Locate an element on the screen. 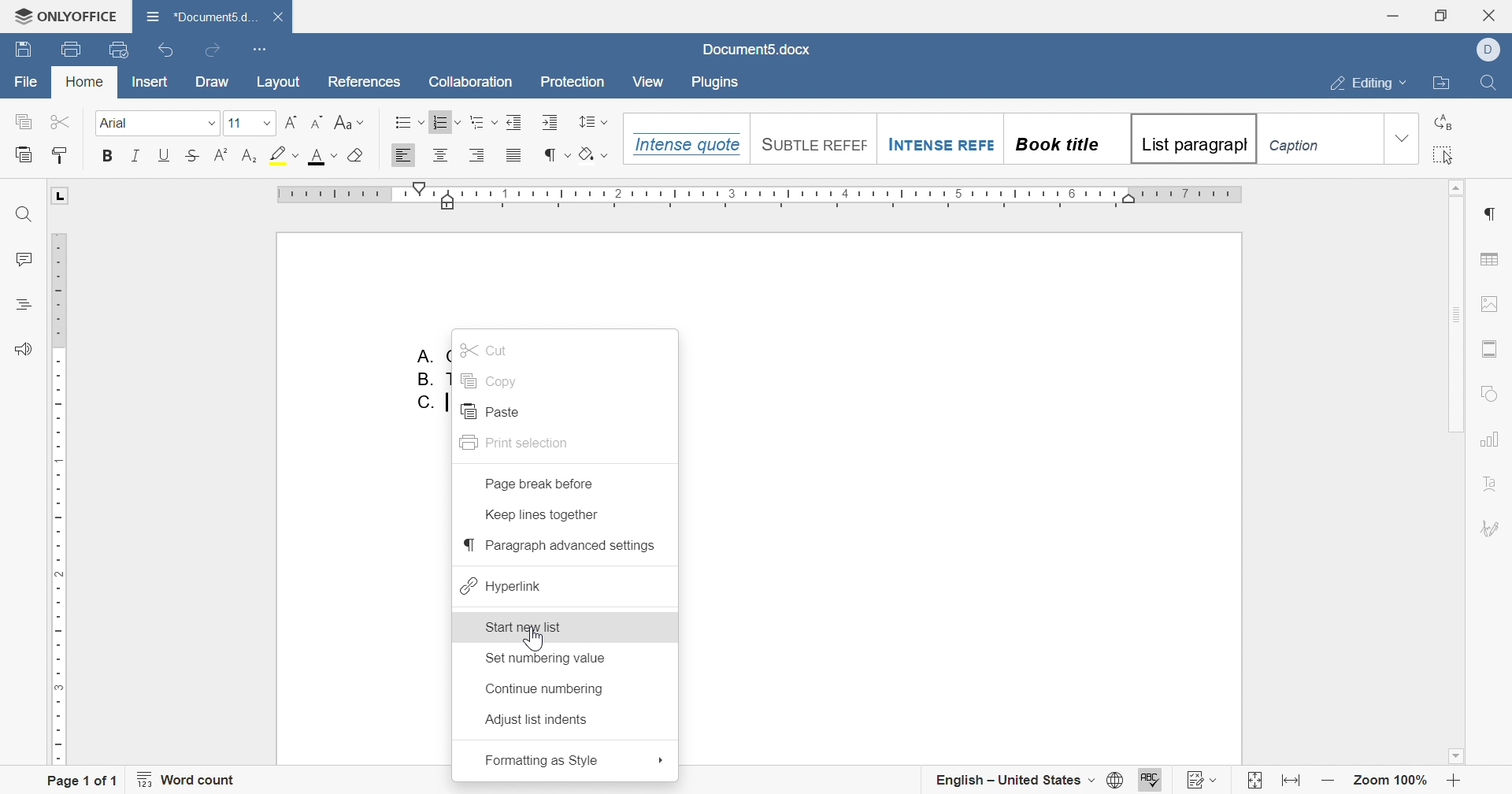 Image resolution: width=1512 pixels, height=794 pixels. Multilevel list is located at coordinates (482, 122).